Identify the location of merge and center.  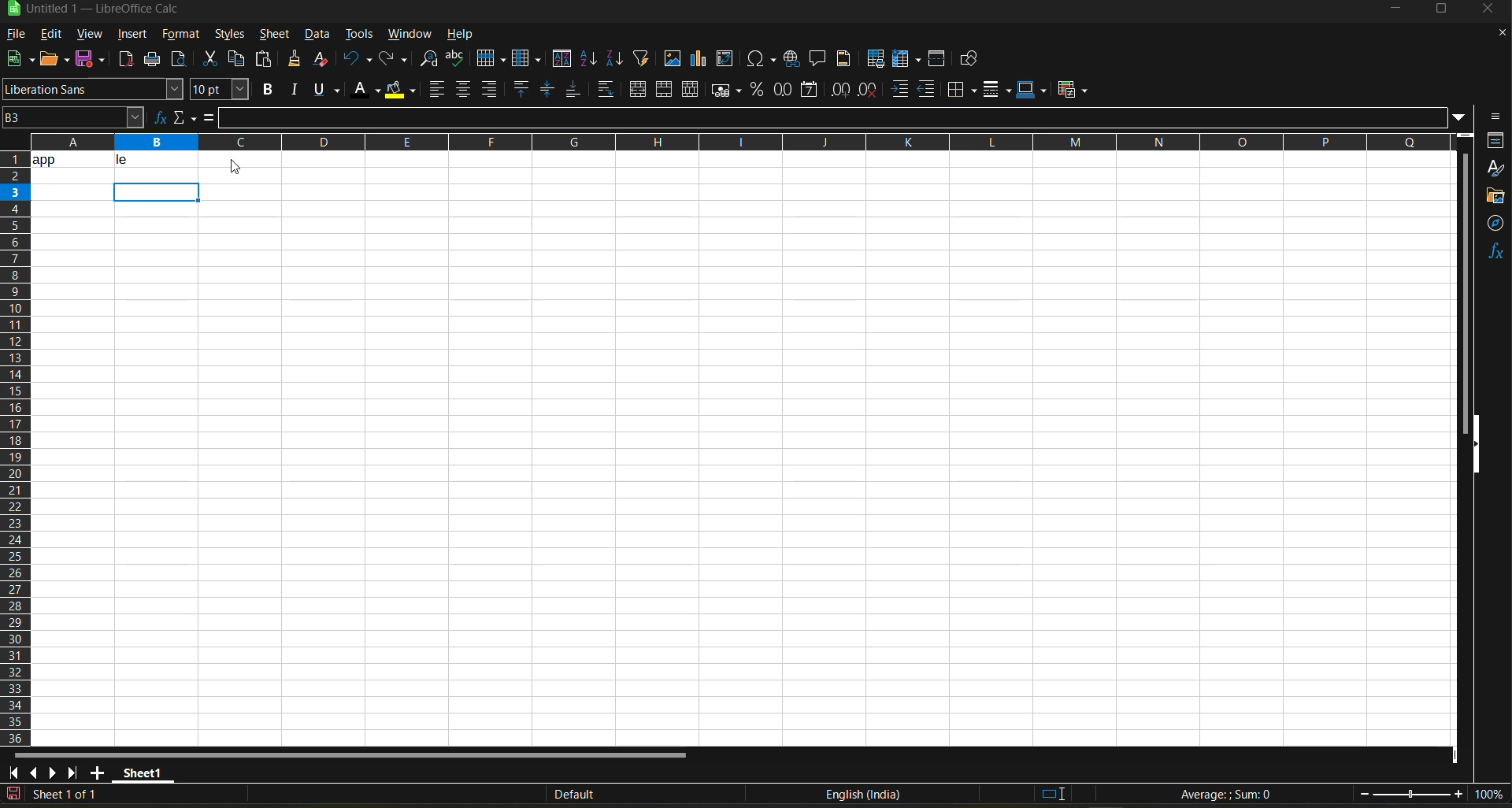
(638, 91).